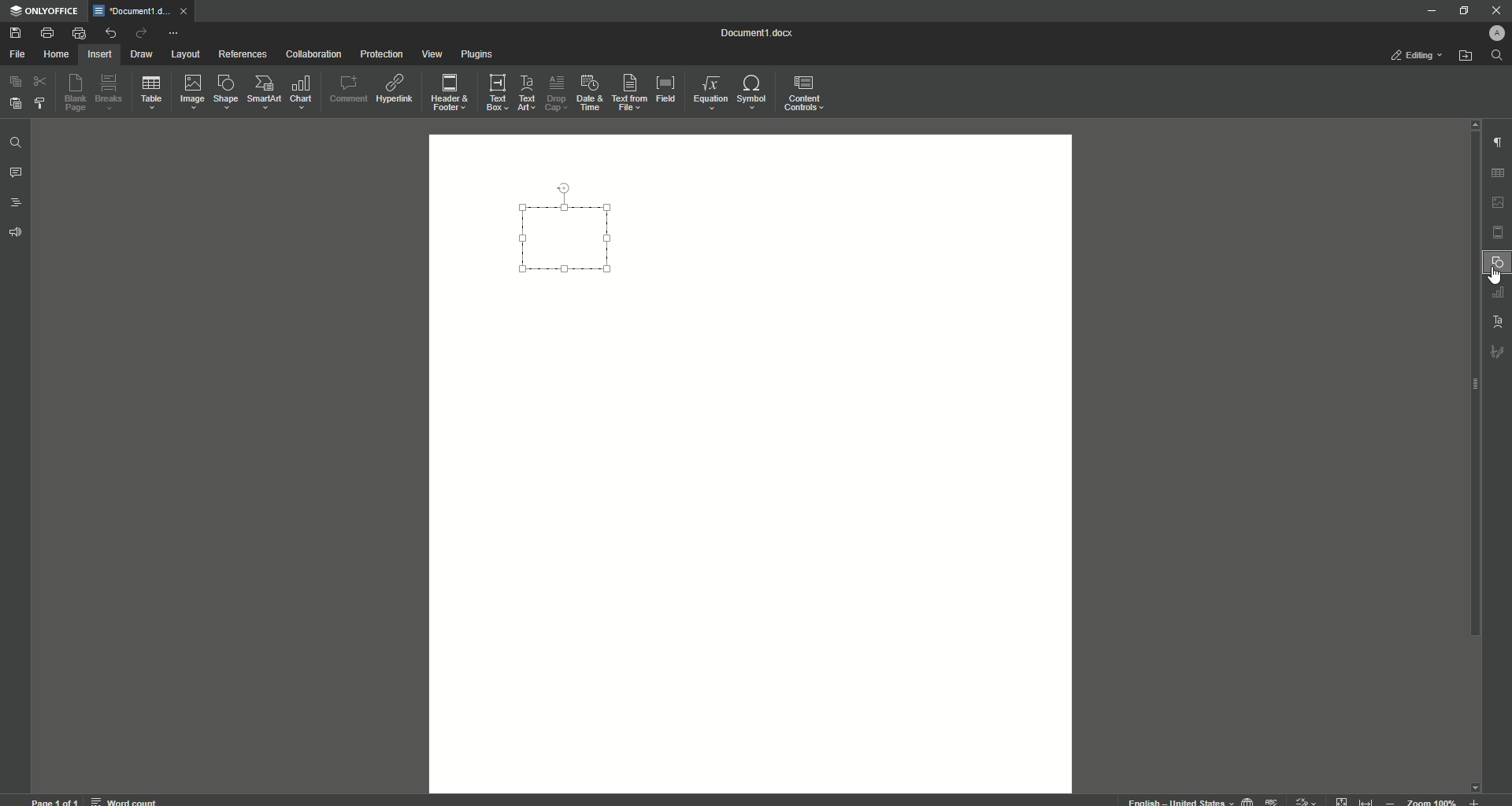 This screenshot has height=806, width=1512. I want to click on scroll up, so click(1471, 124).